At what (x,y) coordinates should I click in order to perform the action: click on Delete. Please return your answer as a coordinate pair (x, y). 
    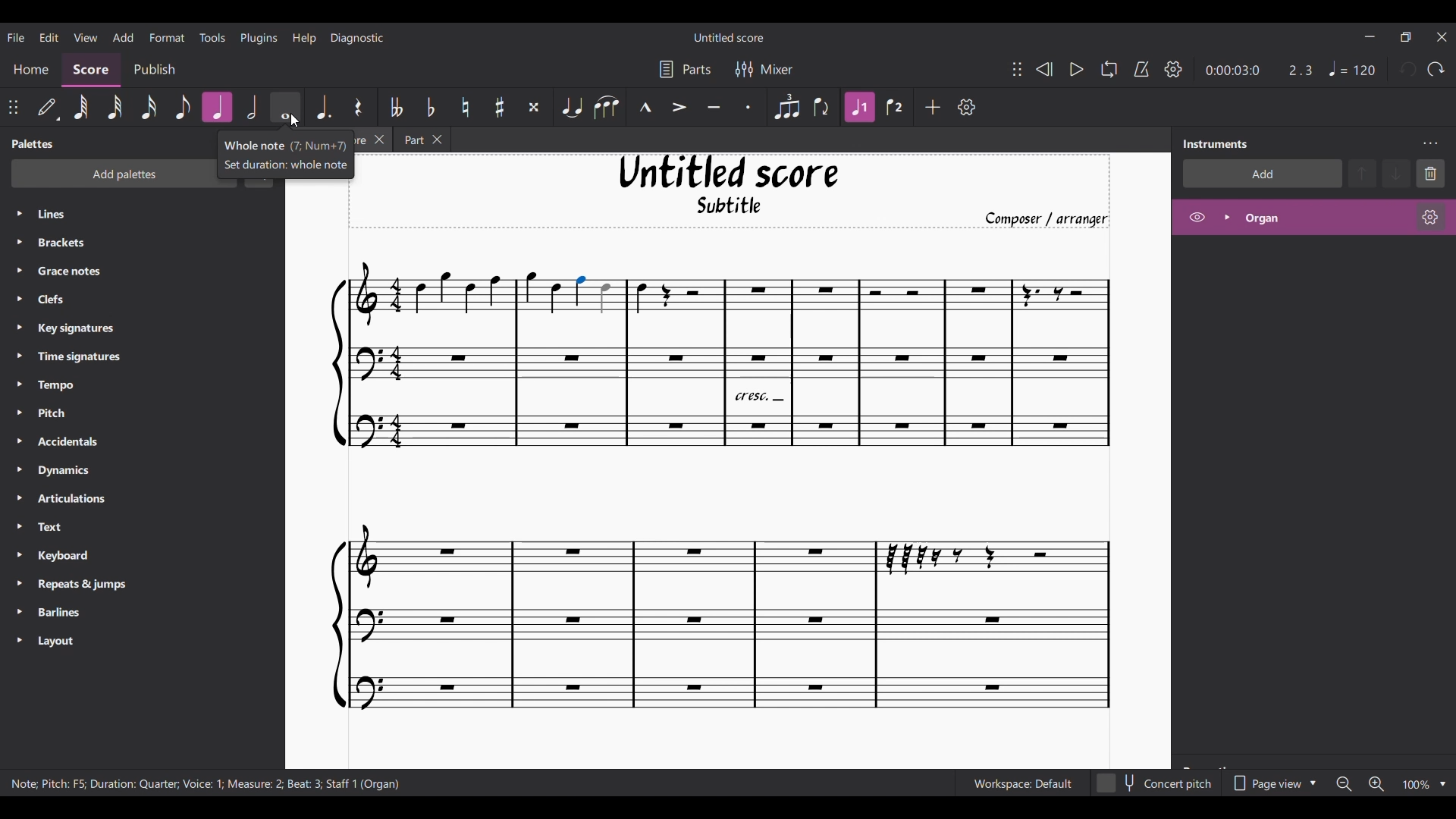
    Looking at the image, I should click on (1430, 174).